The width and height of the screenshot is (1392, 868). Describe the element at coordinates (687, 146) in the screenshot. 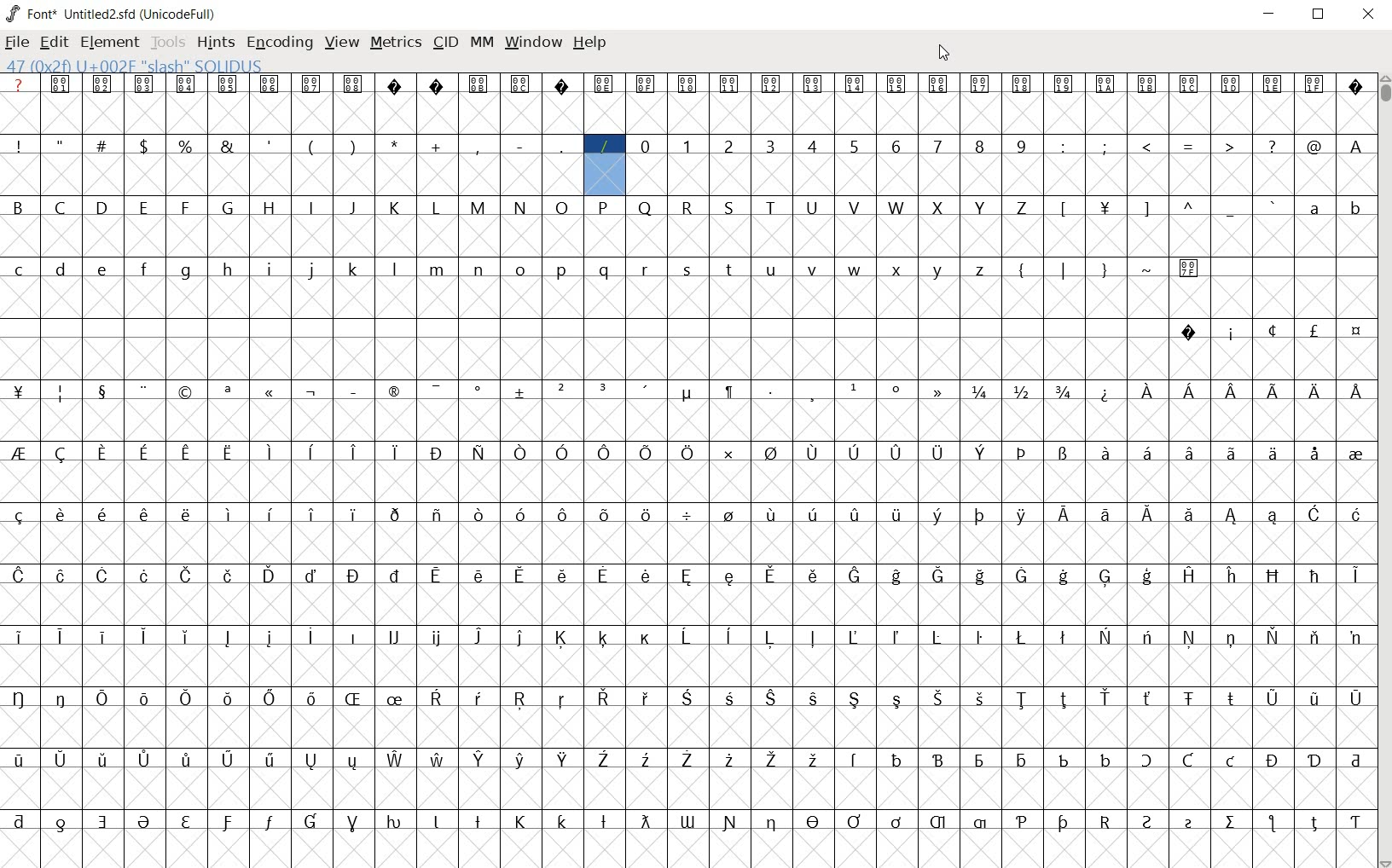

I see `glyph` at that location.